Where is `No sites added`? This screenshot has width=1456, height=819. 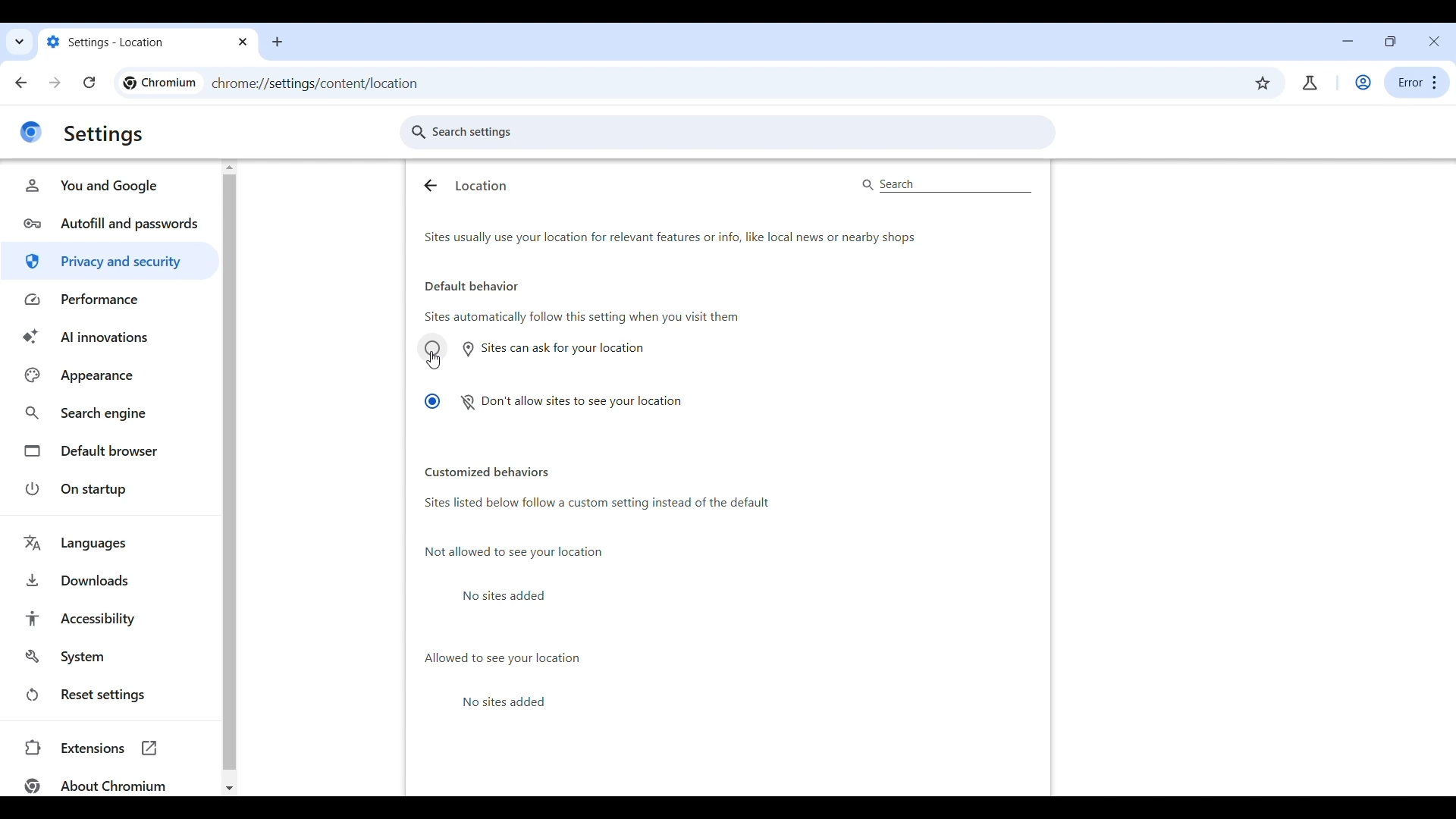
No sites added is located at coordinates (511, 702).